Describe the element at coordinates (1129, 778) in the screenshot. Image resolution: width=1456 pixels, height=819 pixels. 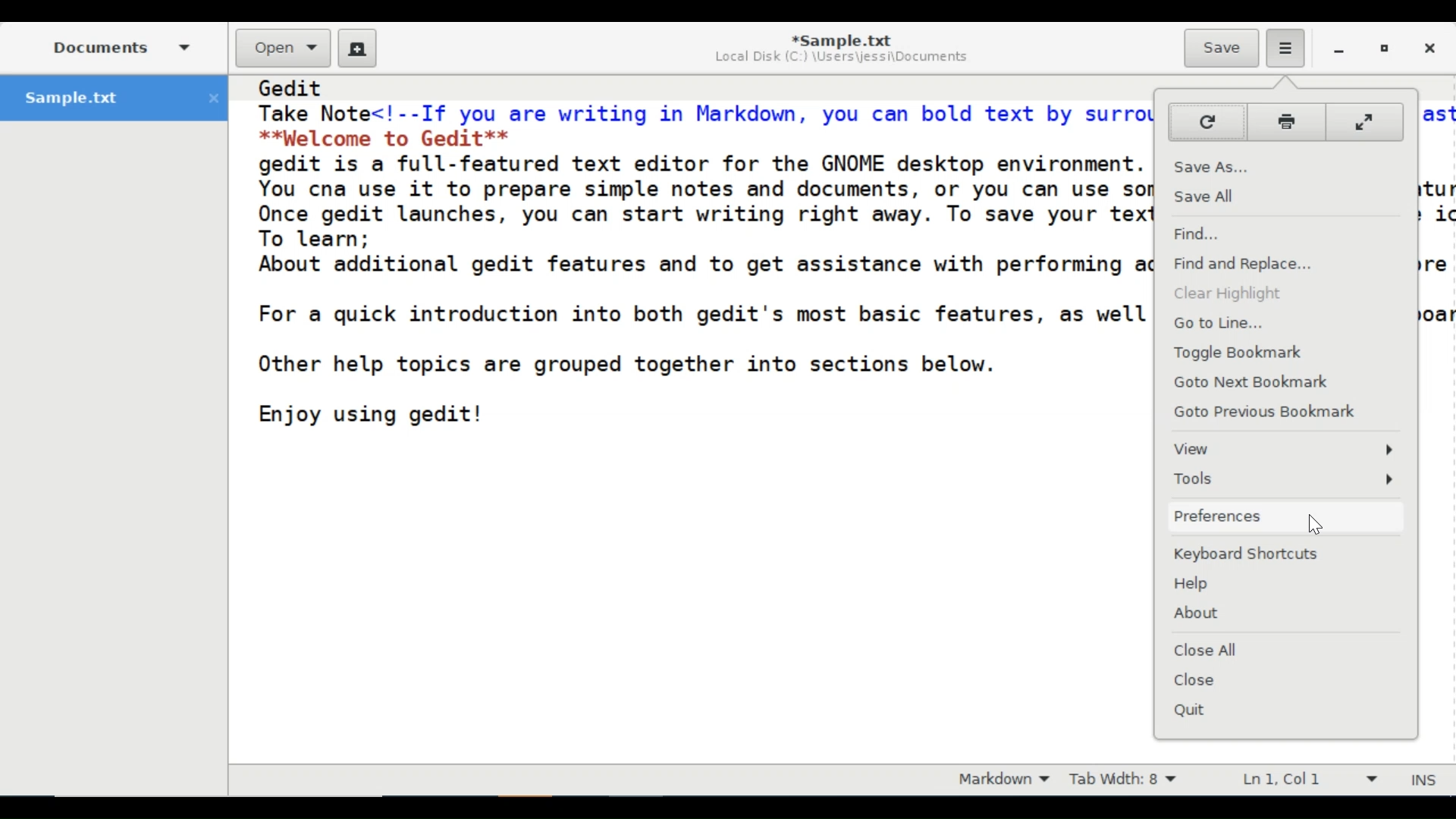
I see `Tab Width` at that location.